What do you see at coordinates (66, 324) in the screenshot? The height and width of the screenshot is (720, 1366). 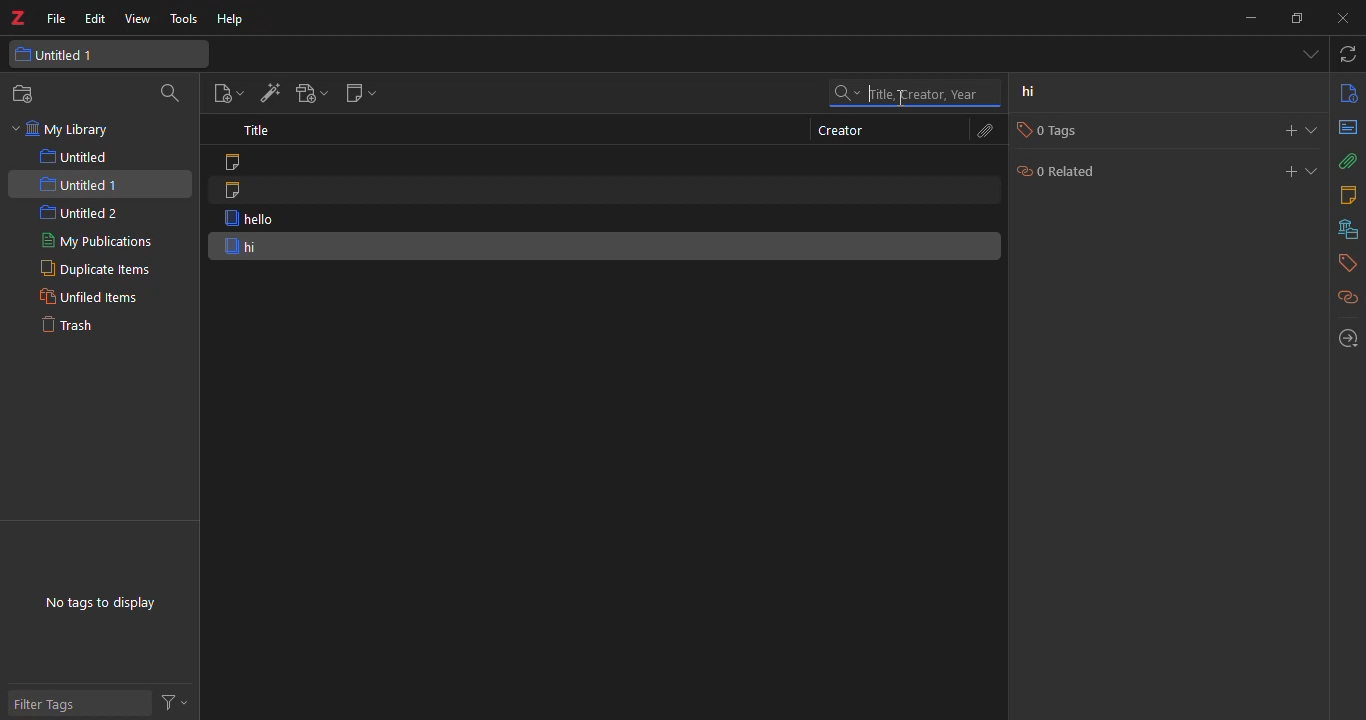 I see `trash` at bounding box center [66, 324].